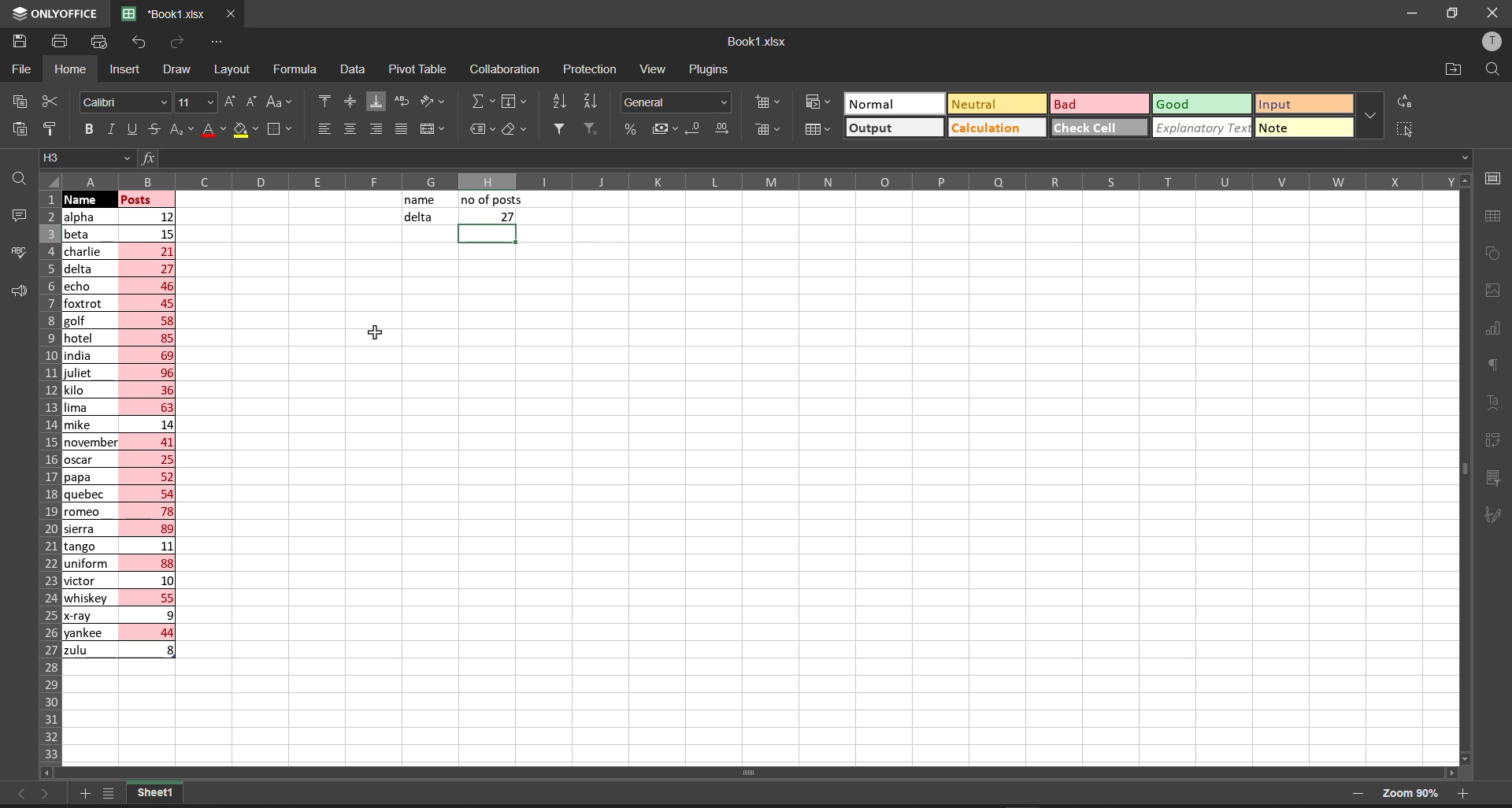 The width and height of the screenshot is (1512, 808). What do you see at coordinates (124, 70) in the screenshot?
I see `insert` at bounding box center [124, 70].